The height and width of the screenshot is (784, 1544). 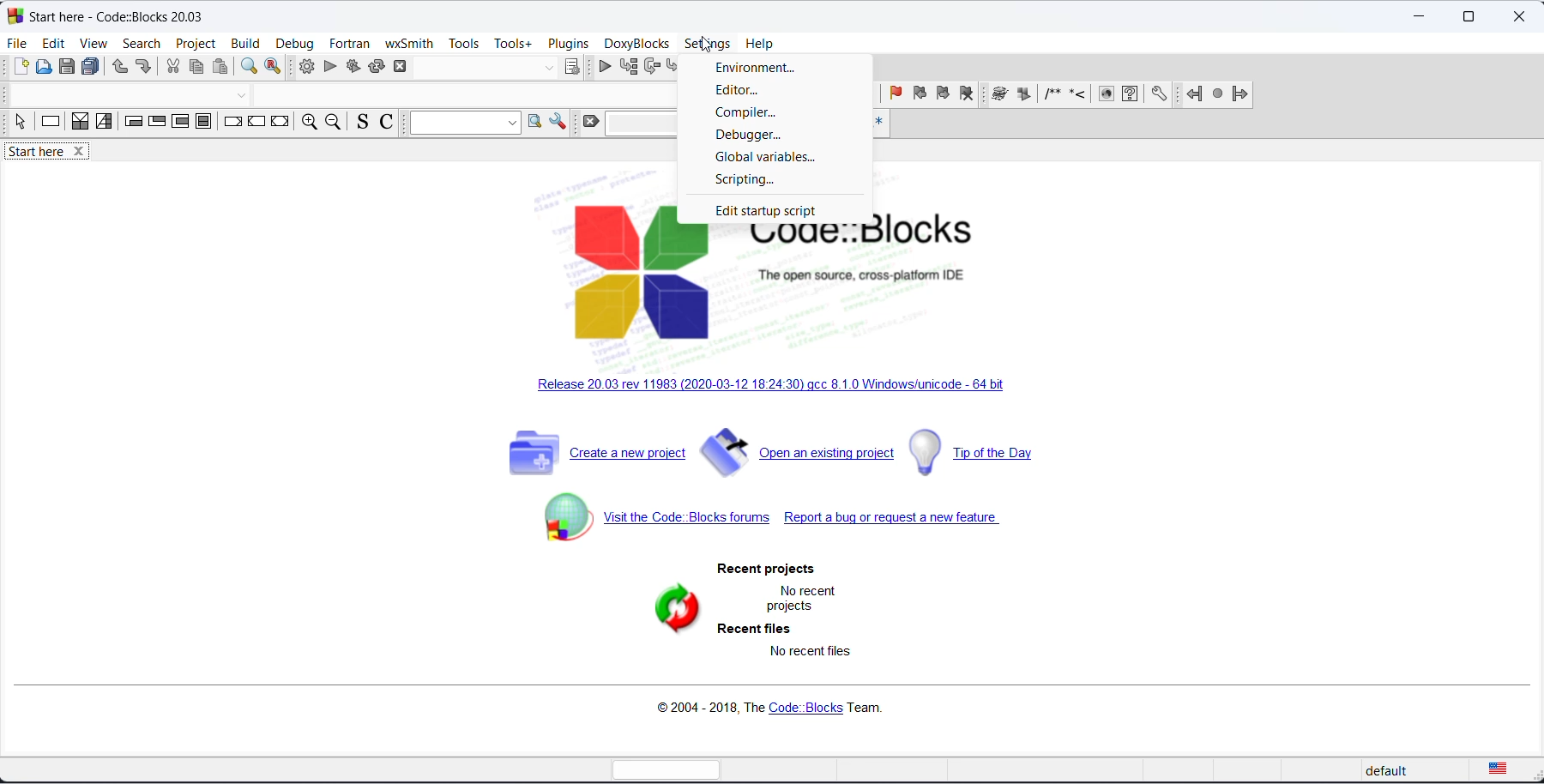 What do you see at coordinates (133, 16) in the screenshot?
I see `start here dialogbox` at bounding box center [133, 16].